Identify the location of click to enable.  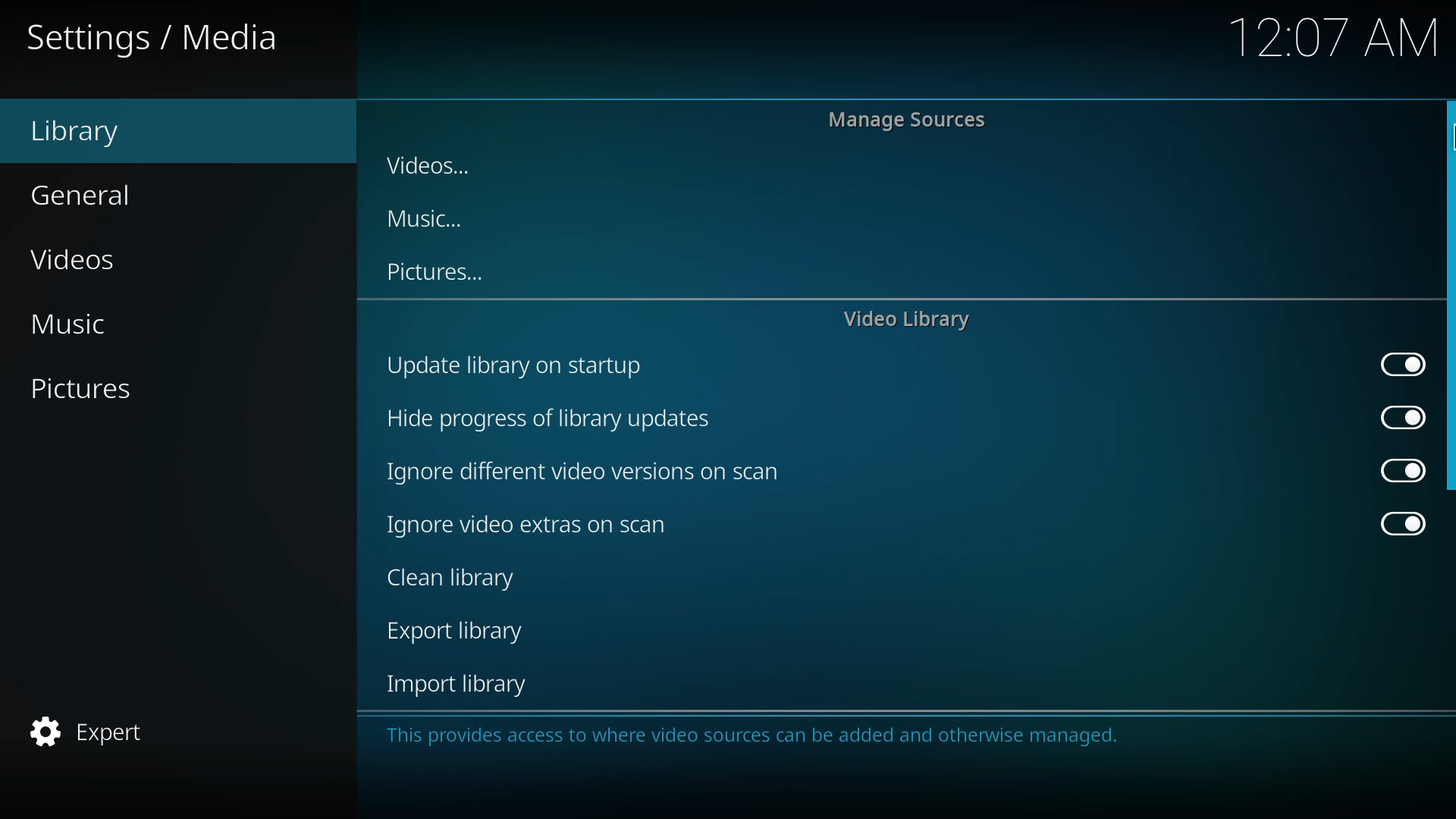
(1398, 421).